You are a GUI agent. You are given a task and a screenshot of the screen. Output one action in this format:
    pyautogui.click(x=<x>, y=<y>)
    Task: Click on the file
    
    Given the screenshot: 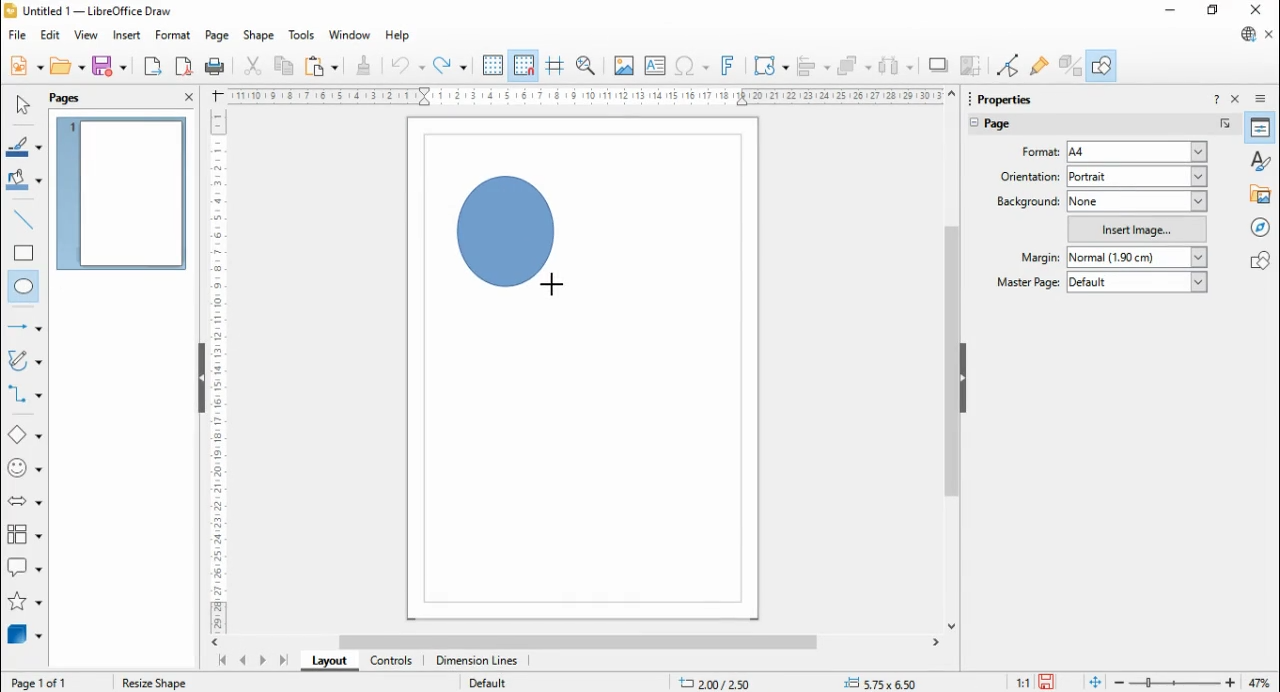 What is the action you would take?
    pyautogui.click(x=19, y=35)
    